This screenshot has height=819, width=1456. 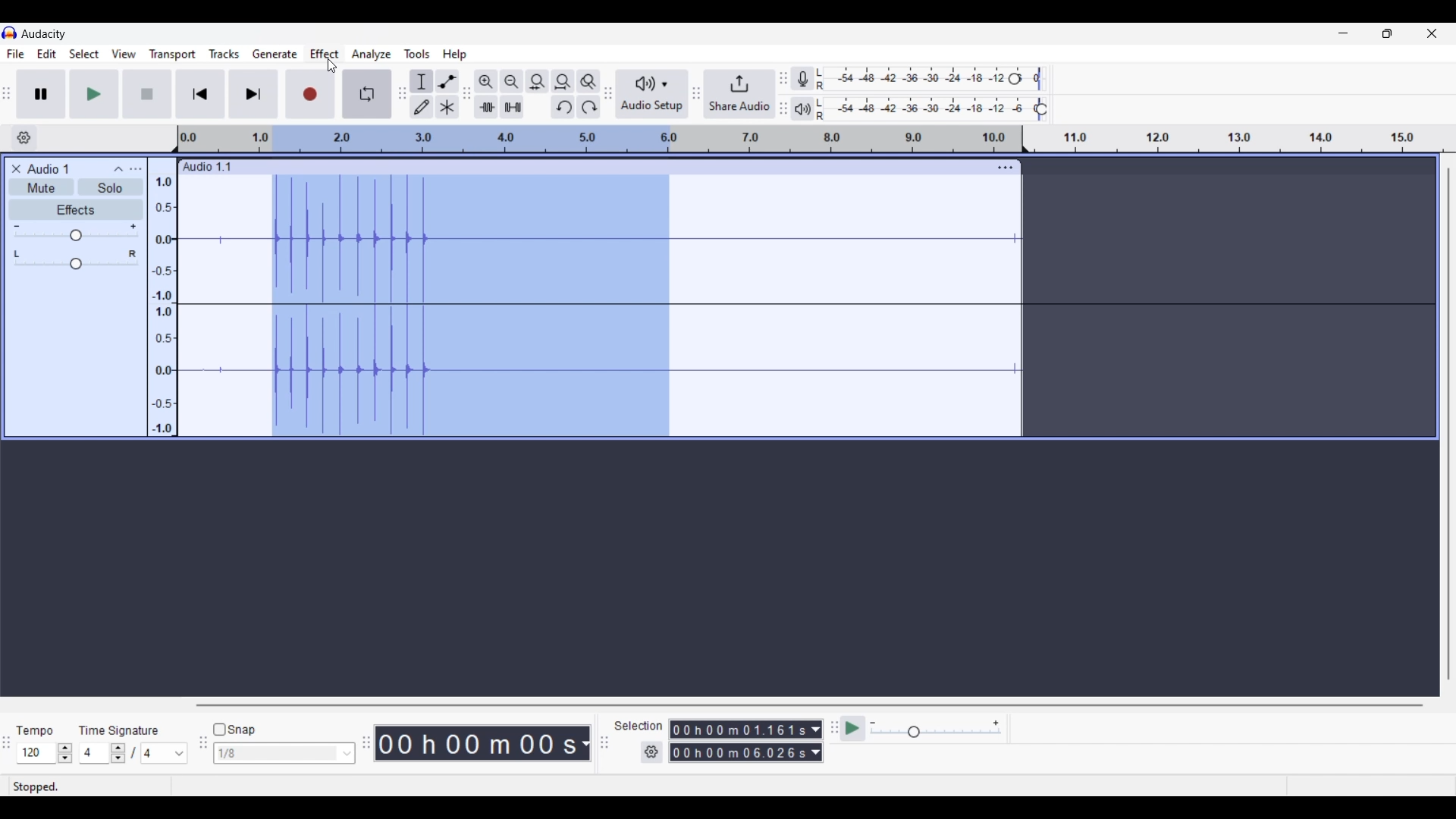 What do you see at coordinates (42, 94) in the screenshot?
I see `Pause` at bounding box center [42, 94].